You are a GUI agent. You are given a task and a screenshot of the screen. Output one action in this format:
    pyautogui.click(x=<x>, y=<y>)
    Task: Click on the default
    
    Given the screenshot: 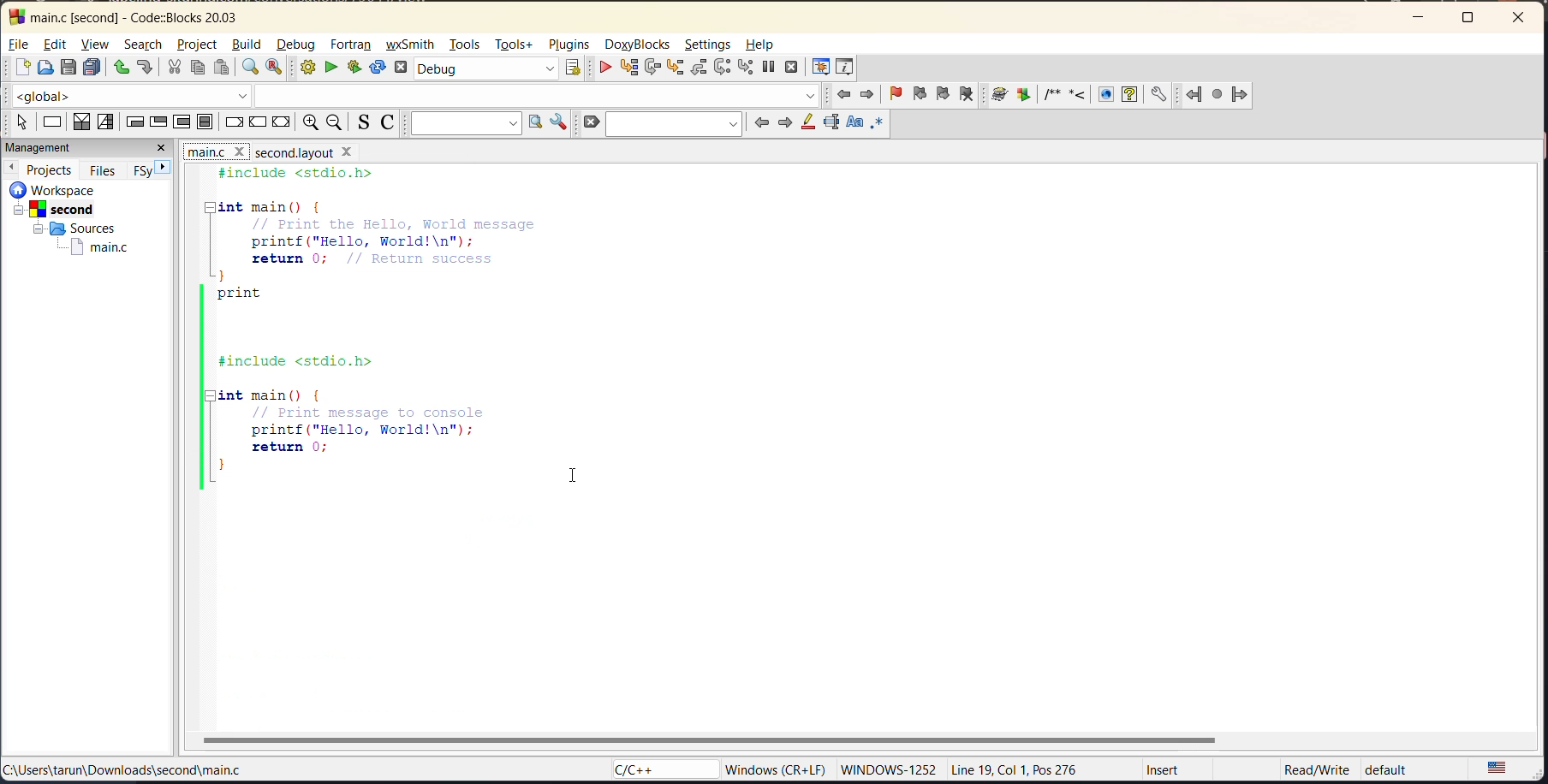 What is the action you would take?
    pyautogui.click(x=1388, y=767)
    